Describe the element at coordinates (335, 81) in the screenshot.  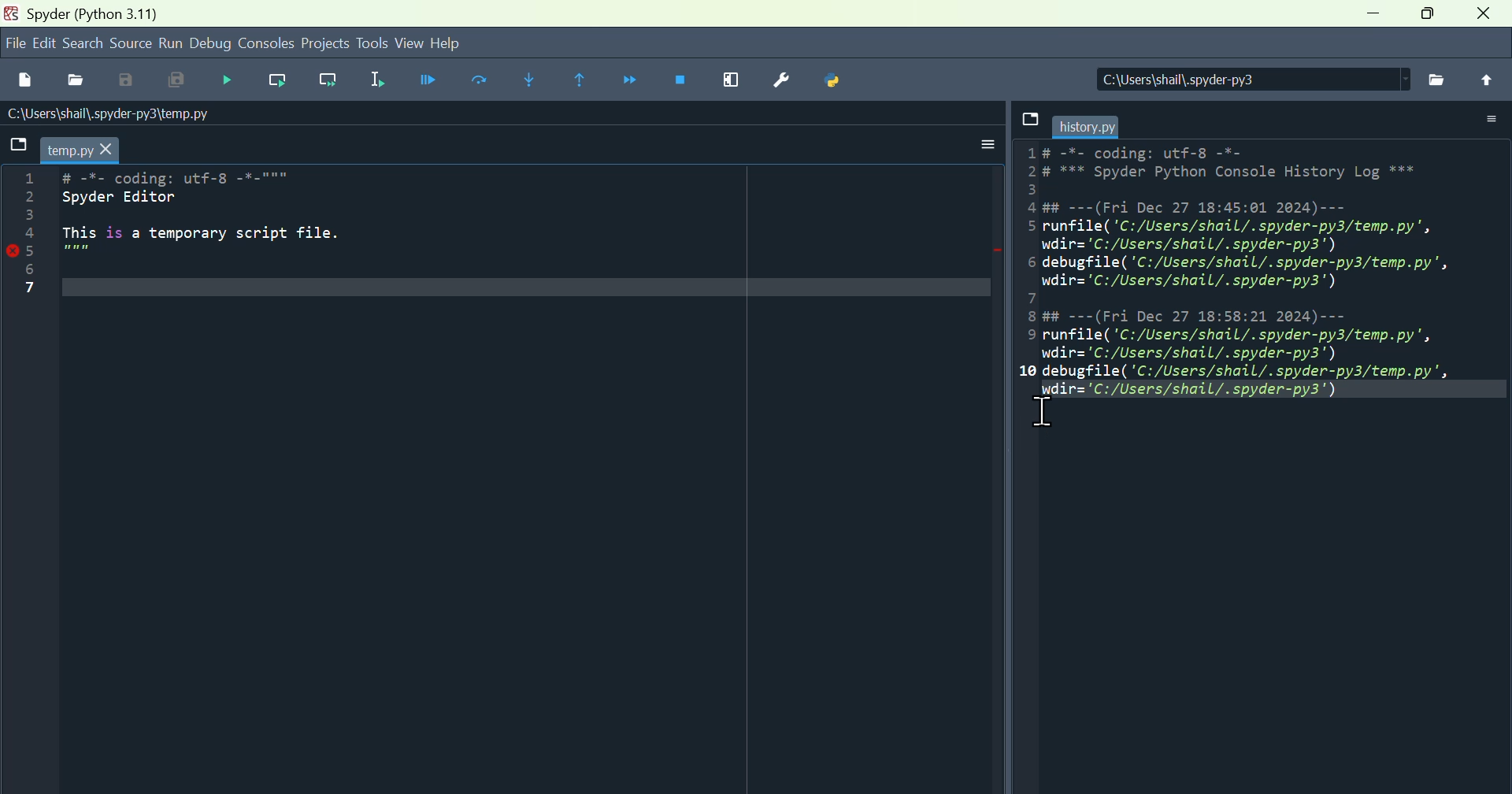
I see `Run current line and go to the next one` at that location.